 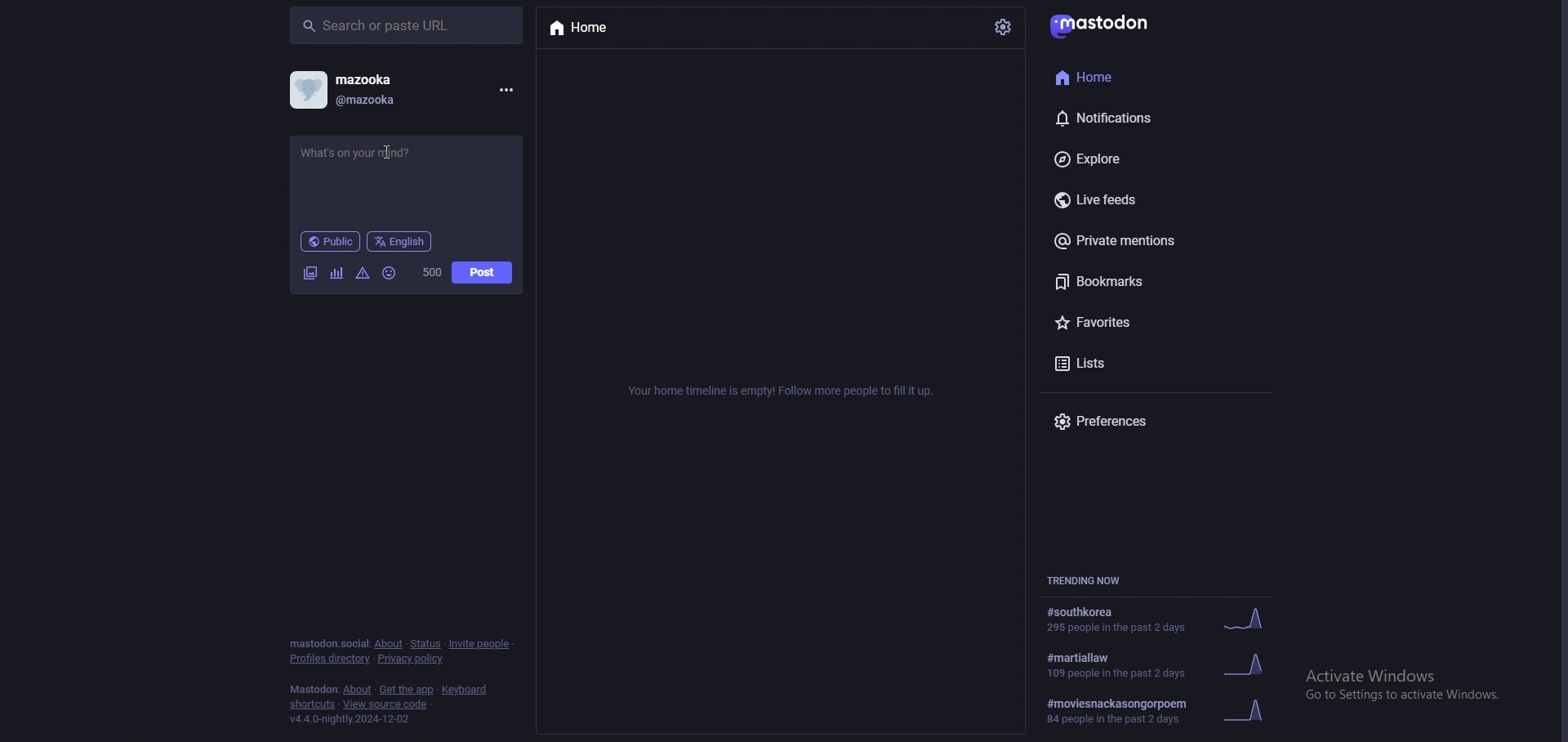 What do you see at coordinates (1163, 664) in the screenshot?
I see `trending` at bounding box center [1163, 664].